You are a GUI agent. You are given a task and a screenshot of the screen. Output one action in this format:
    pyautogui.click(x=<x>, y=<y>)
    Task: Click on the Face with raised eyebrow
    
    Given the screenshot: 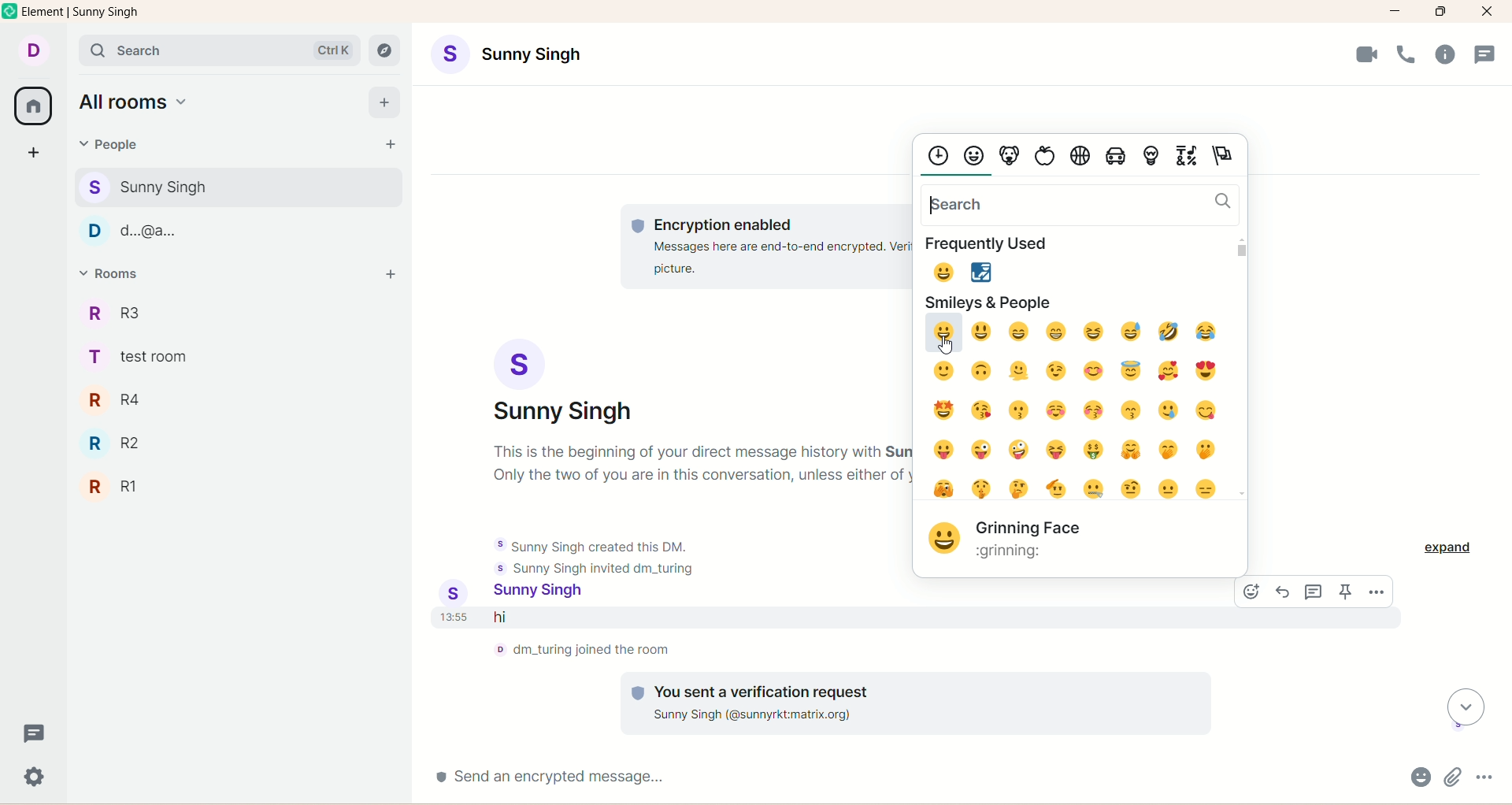 What is the action you would take?
    pyautogui.click(x=1132, y=489)
    